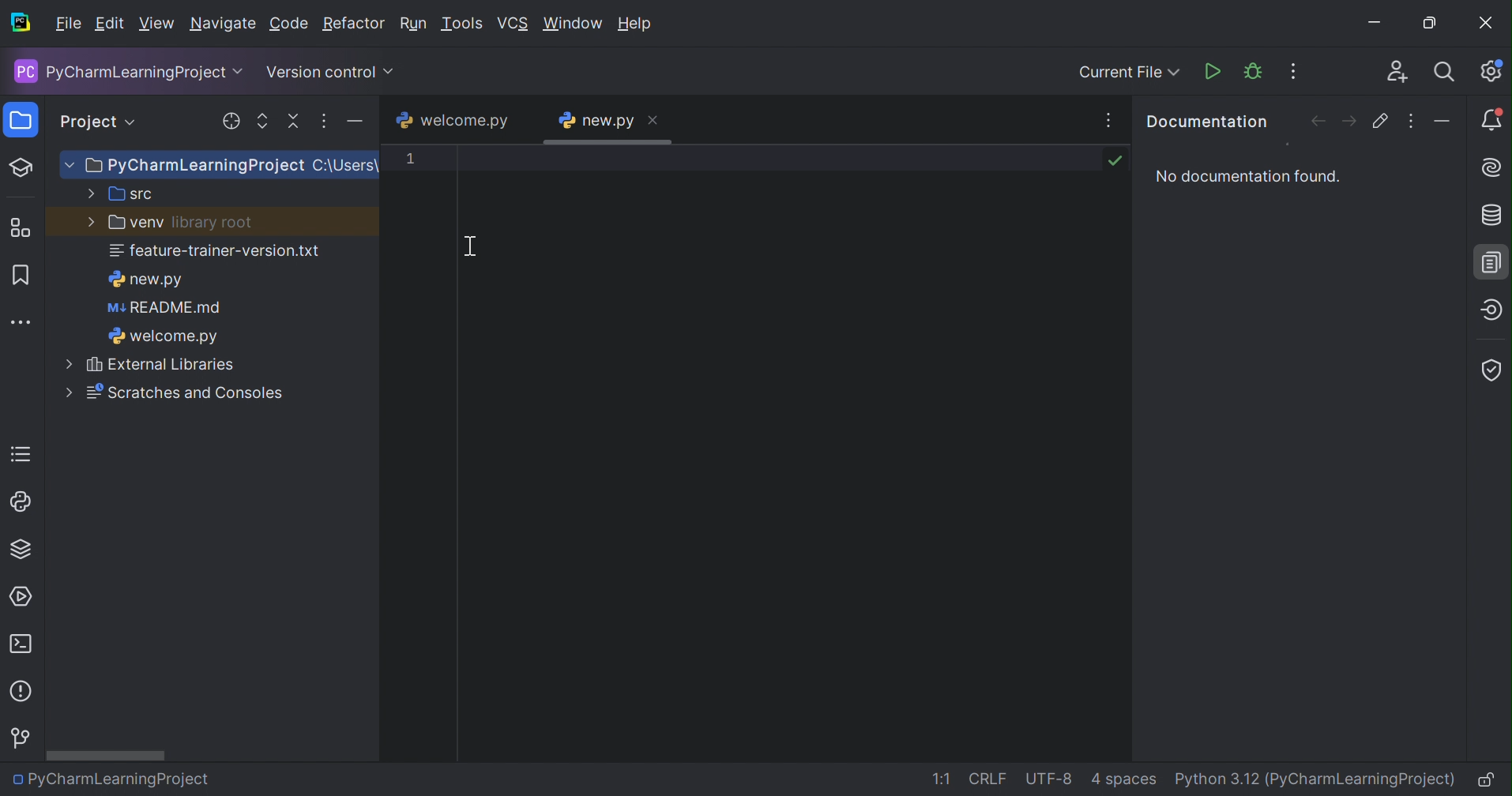 This screenshot has height=796, width=1512. What do you see at coordinates (473, 246) in the screenshot?
I see `text Cursor` at bounding box center [473, 246].